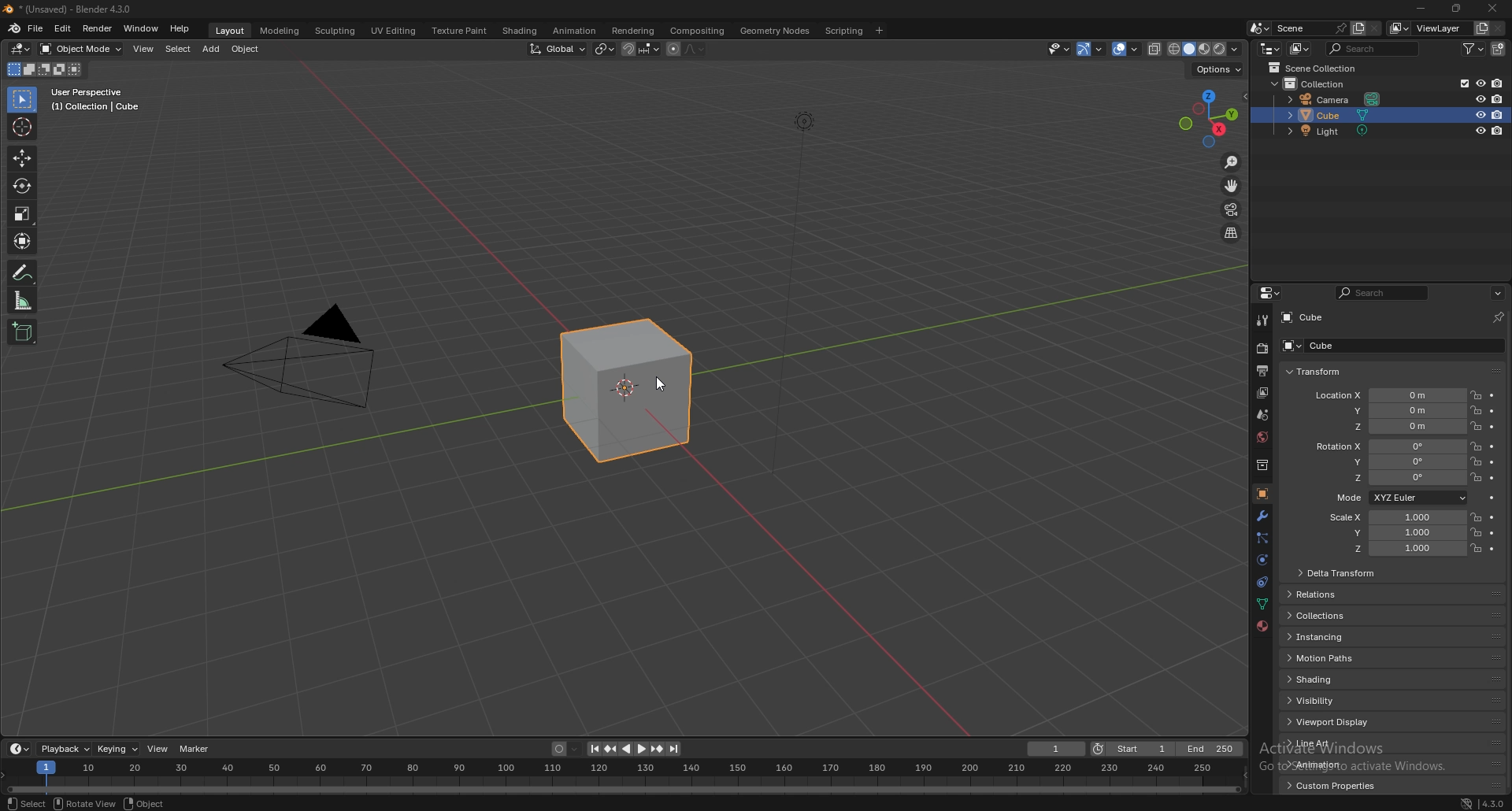 This screenshot has height=811, width=1512. Describe the element at coordinates (1428, 28) in the screenshot. I see `view layer` at that location.